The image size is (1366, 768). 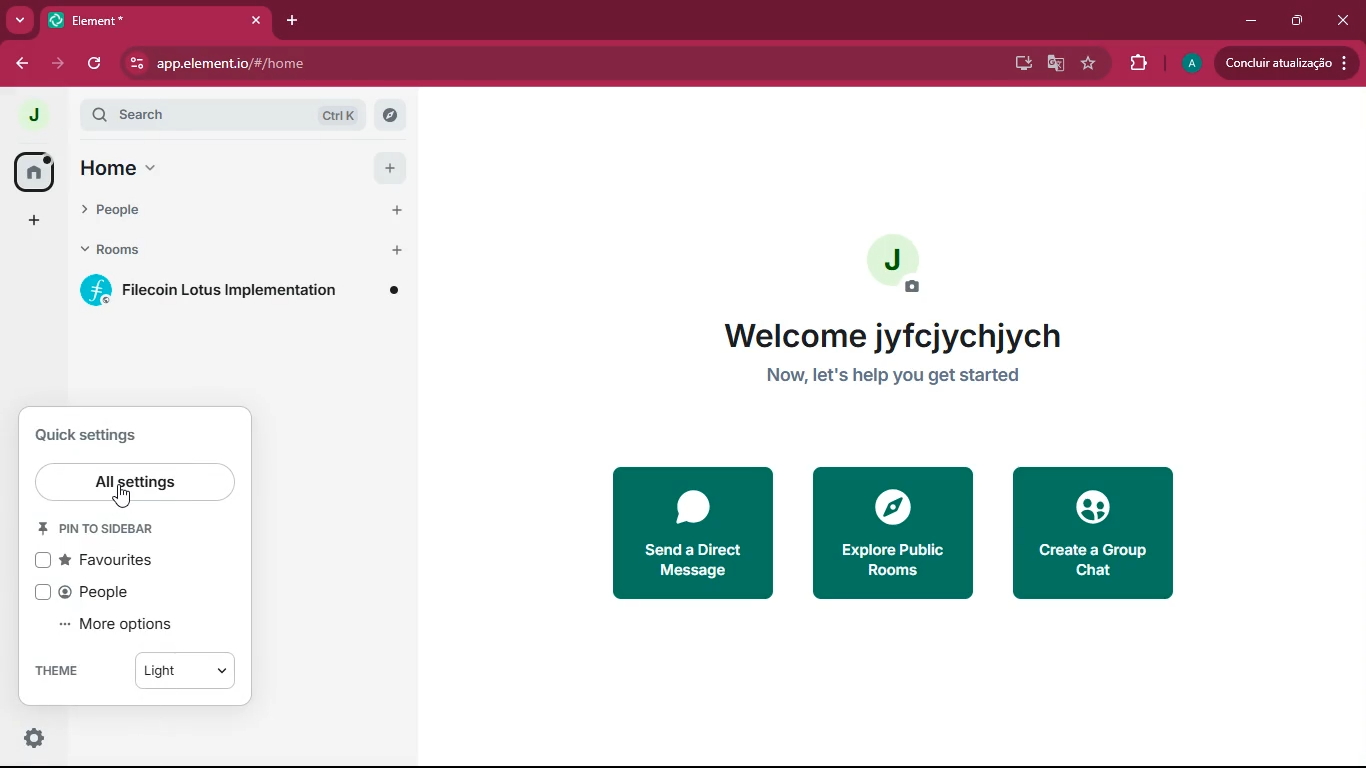 What do you see at coordinates (101, 528) in the screenshot?
I see `pin` at bounding box center [101, 528].